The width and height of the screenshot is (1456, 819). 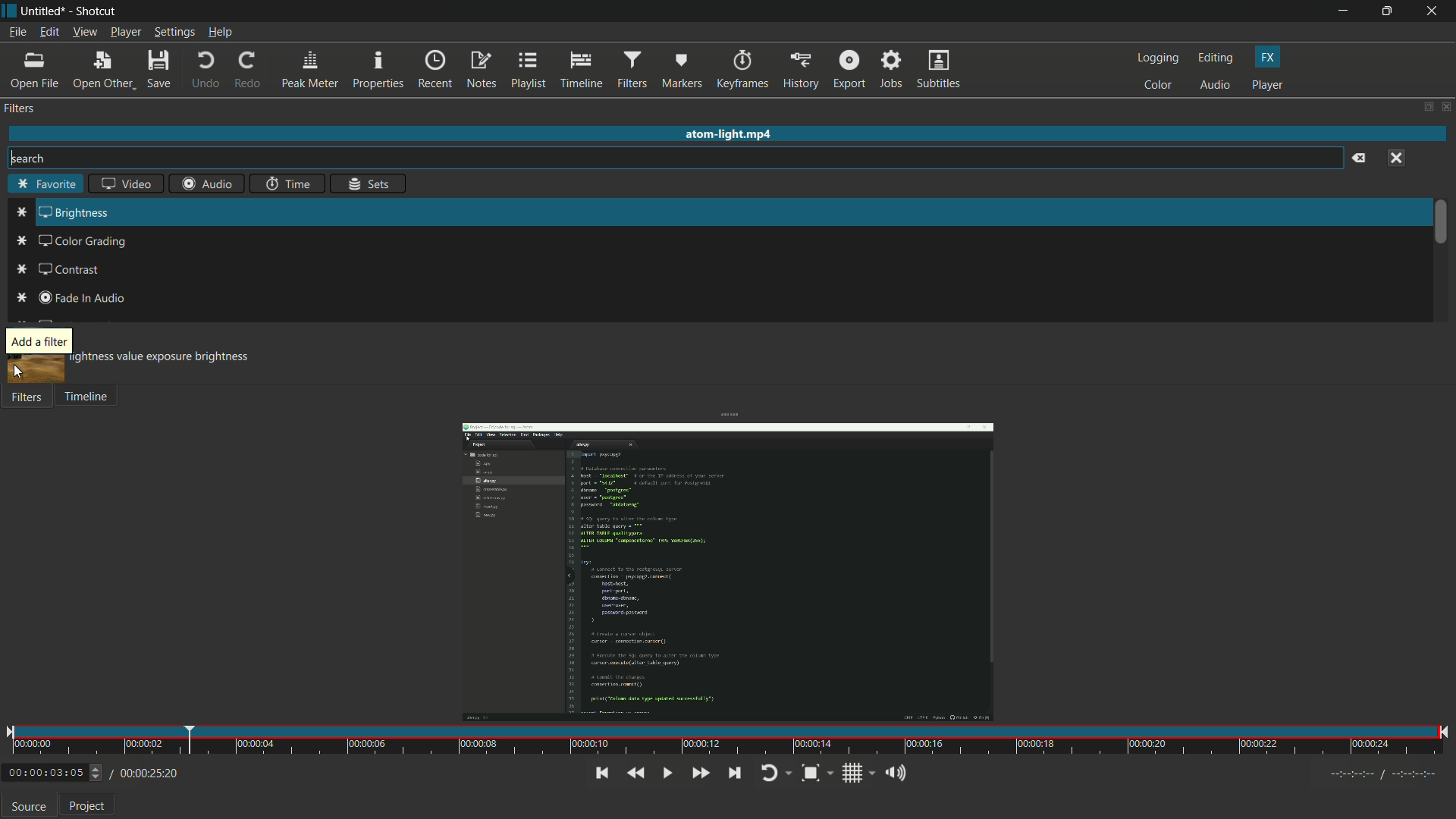 I want to click on total time, so click(x=147, y=773).